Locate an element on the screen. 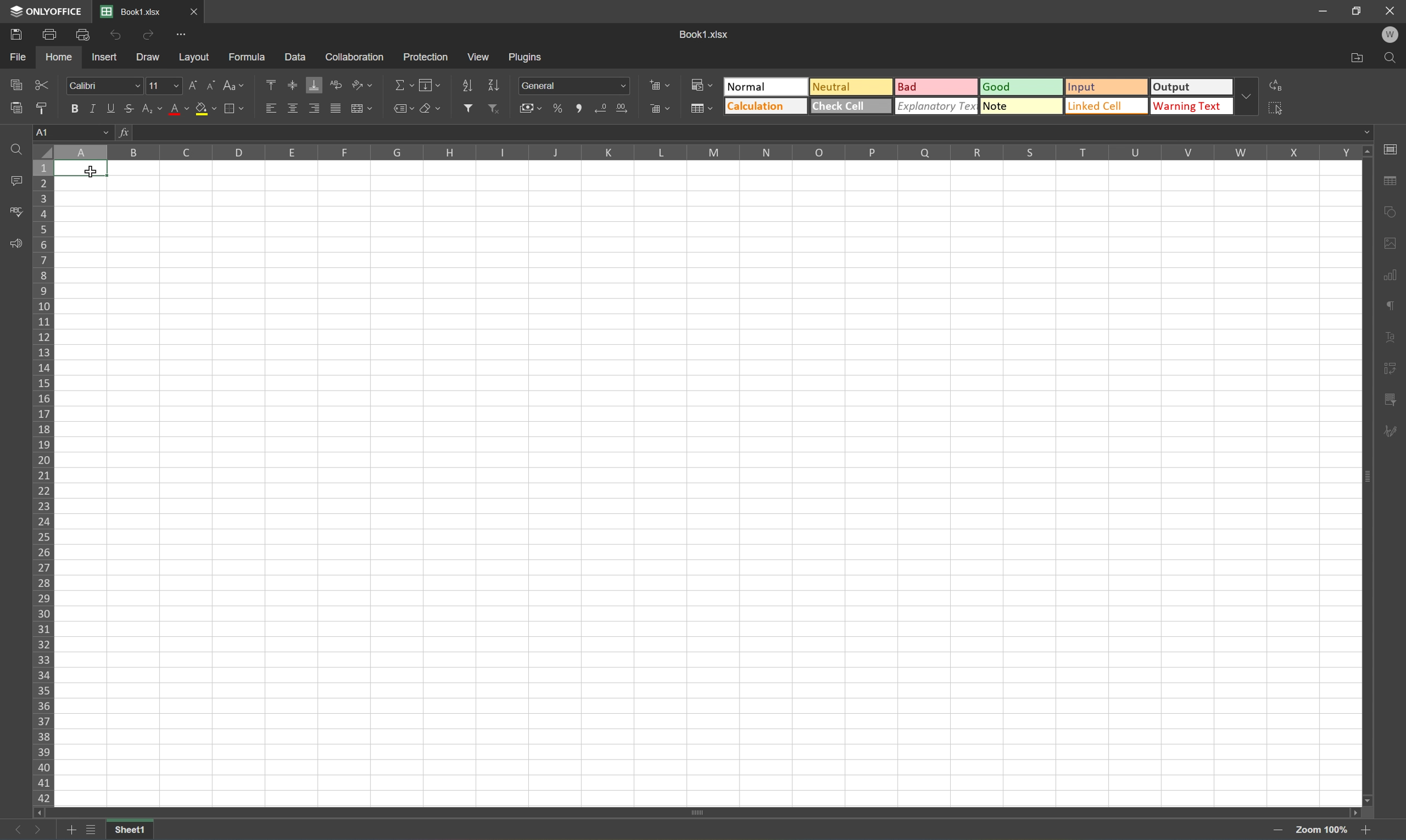  Draw is located at coordinates (149, 59).